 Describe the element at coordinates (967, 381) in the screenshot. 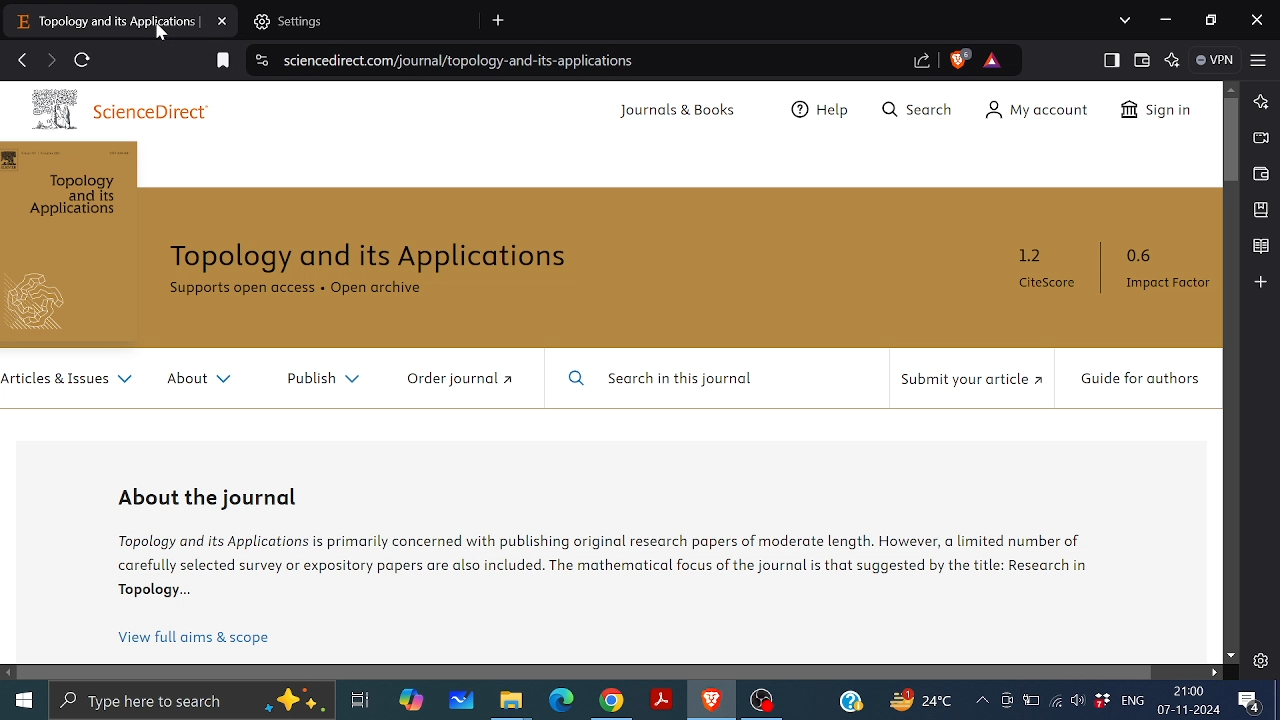

I see `Submit your article ` at that location.